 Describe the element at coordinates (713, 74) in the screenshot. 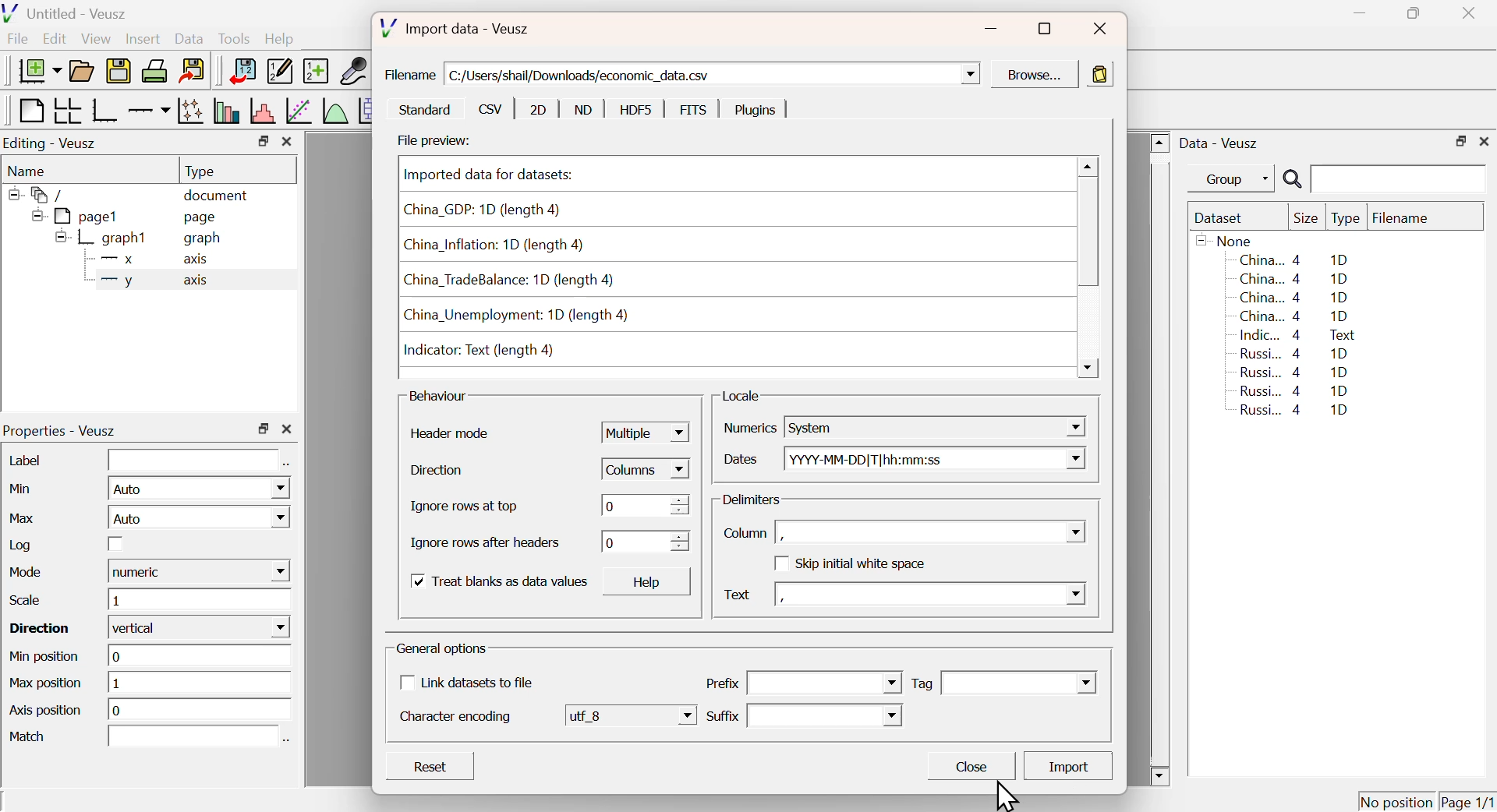

I see `C:/Users/shail/Downloads/economic_data.csv` at that location.